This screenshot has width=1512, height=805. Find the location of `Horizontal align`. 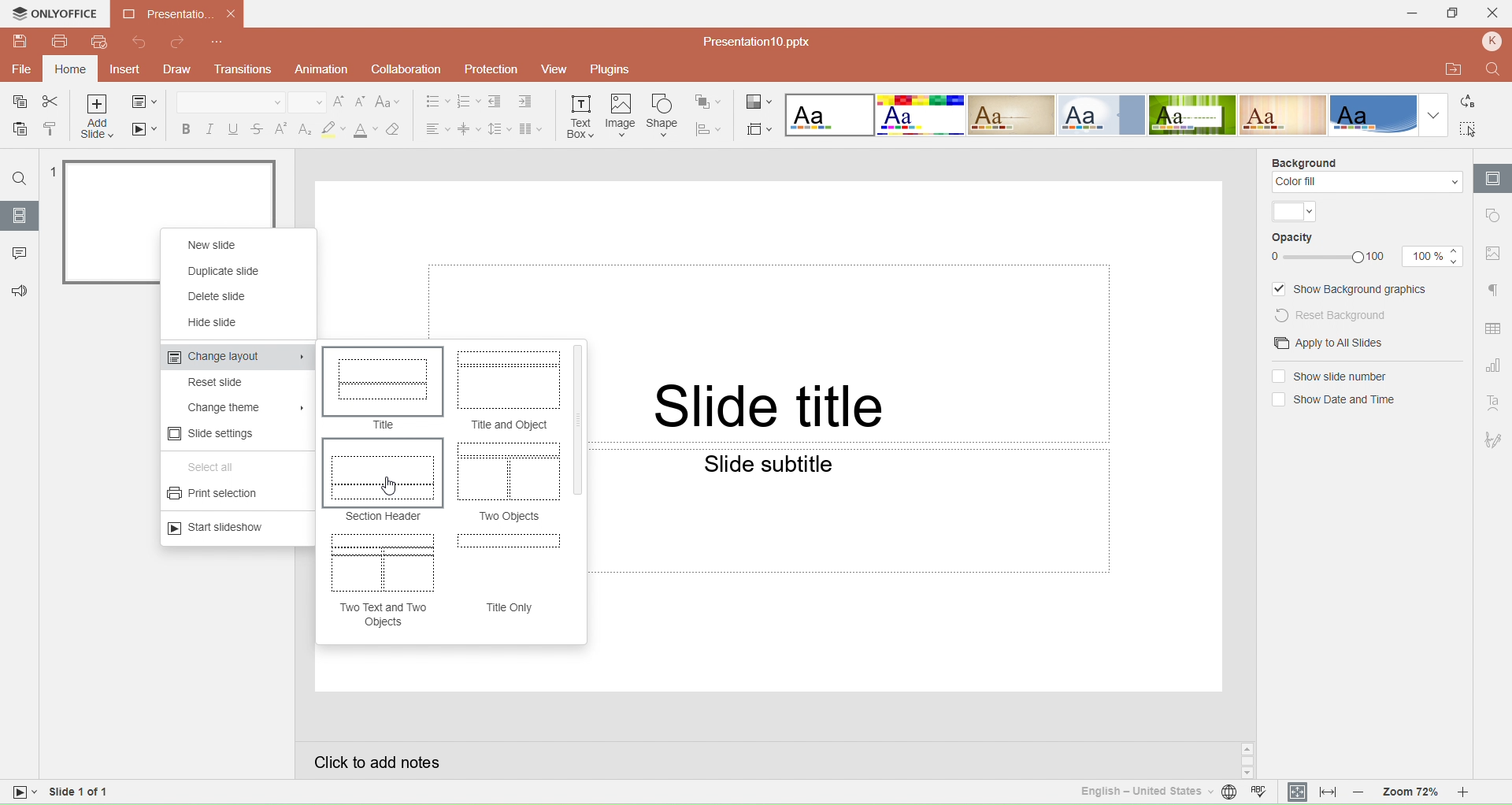

Horizontal align is located at coordinates (435, 128).